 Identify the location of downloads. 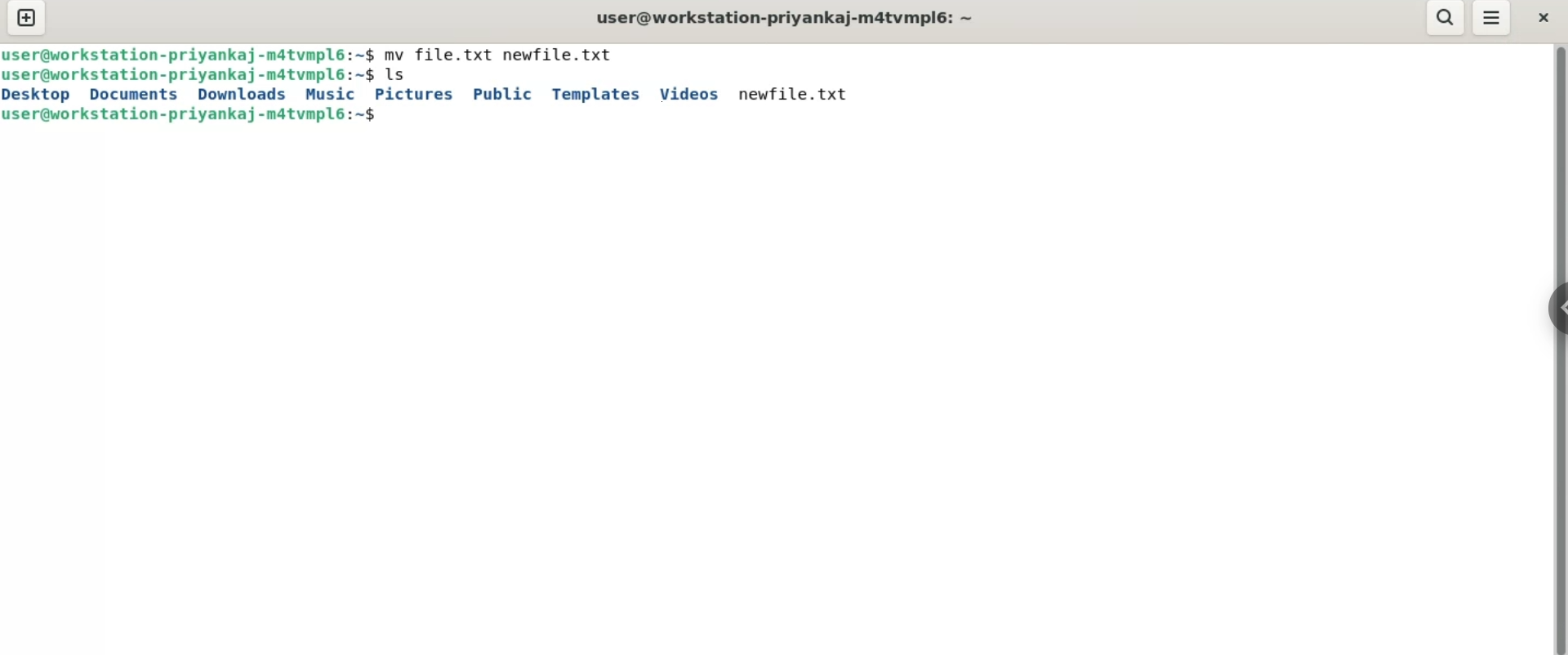
(241, 95).